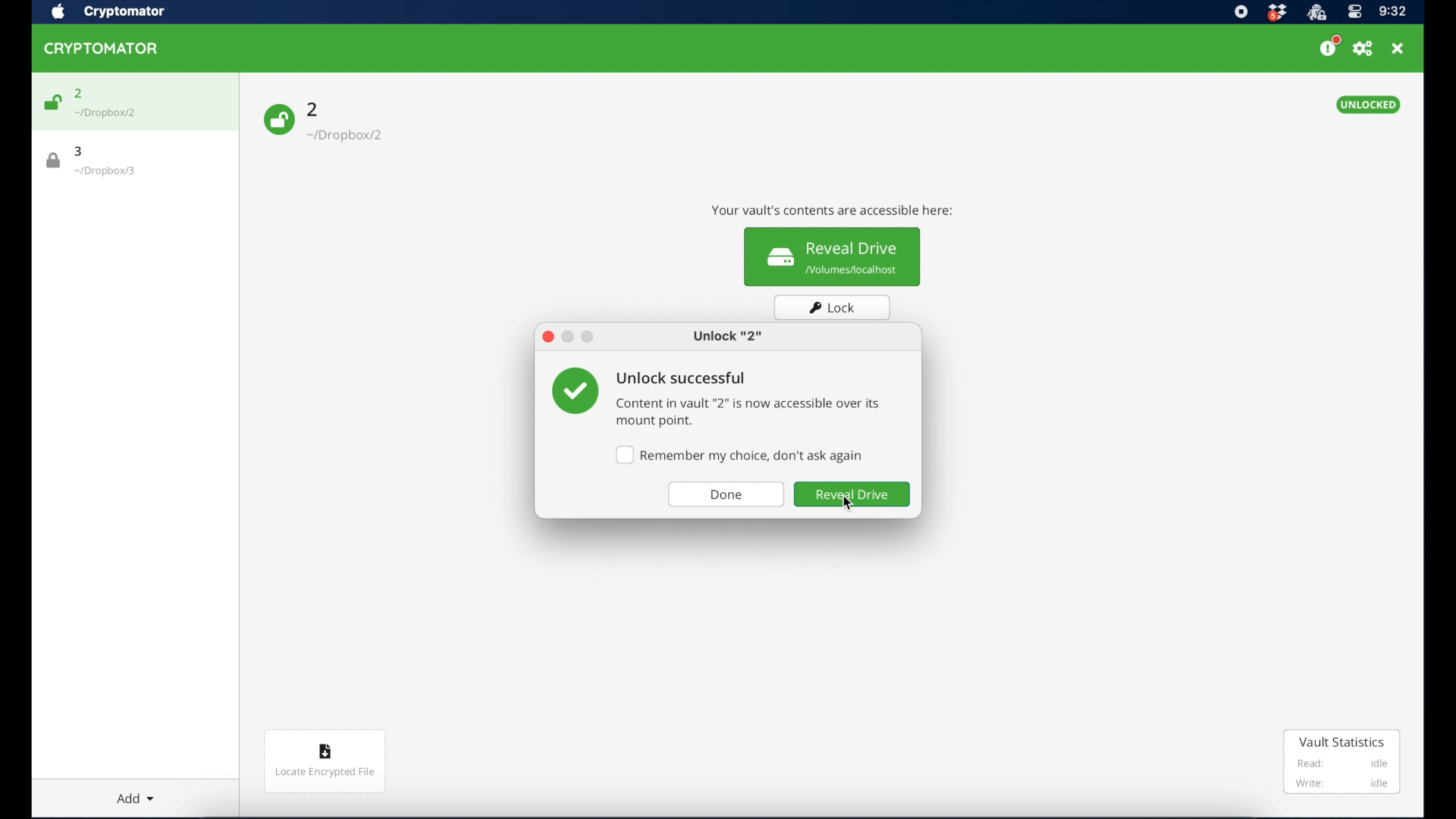  I want to click on check mark, so click(576, 392).